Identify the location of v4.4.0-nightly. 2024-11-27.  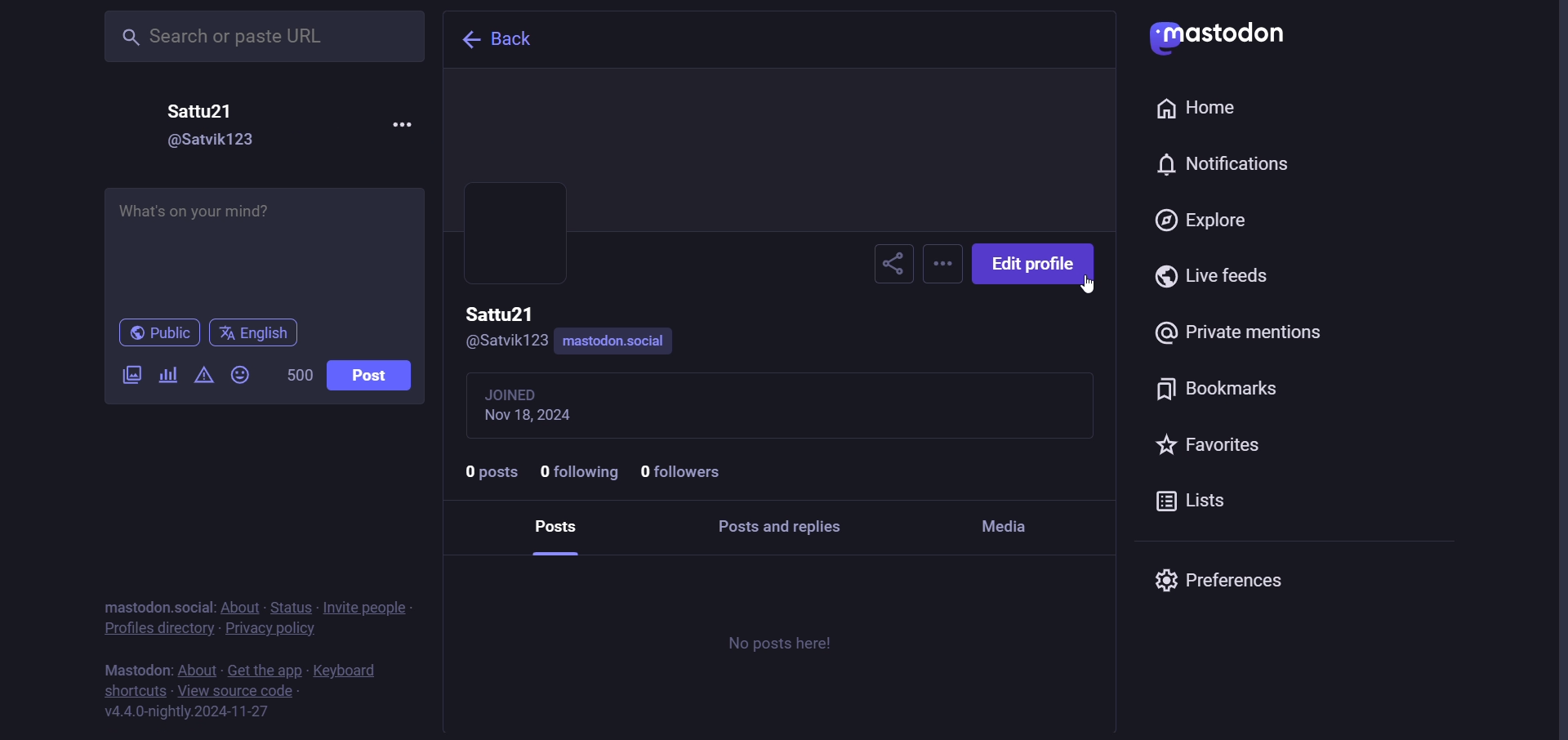
(186, 713).